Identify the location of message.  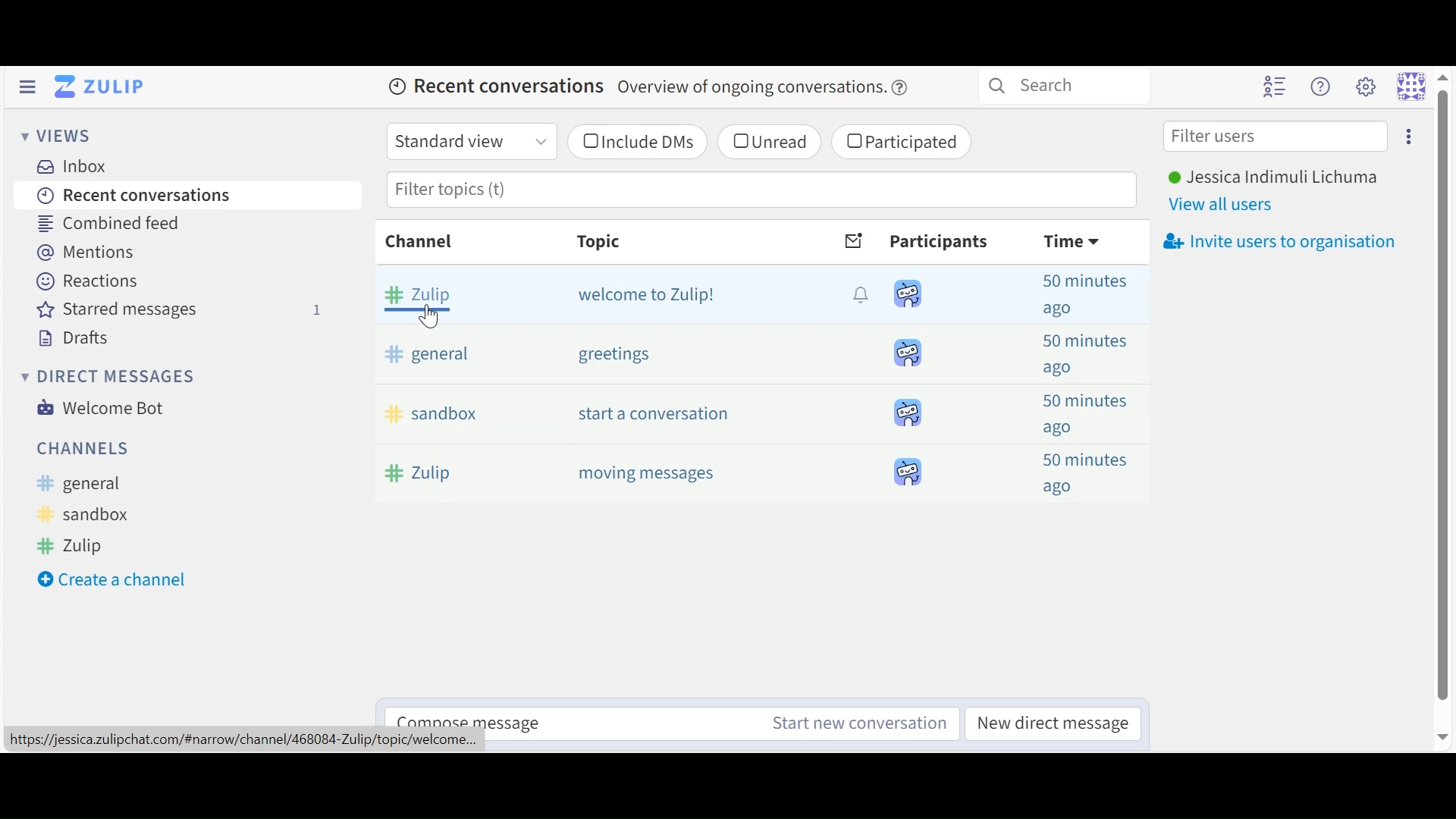
(761, 472).